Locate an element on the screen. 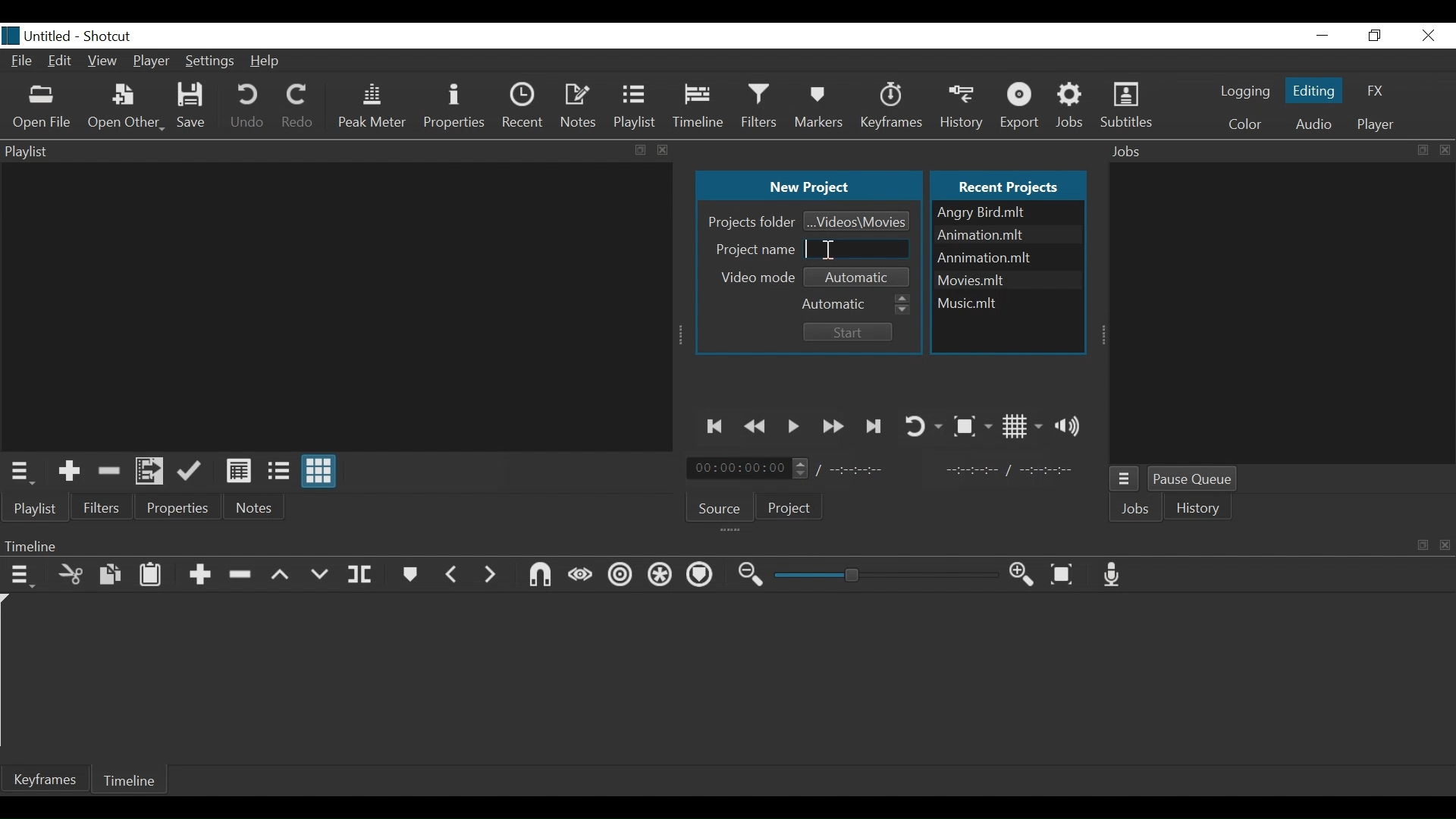  Markers is located at coordinates (821, 106).